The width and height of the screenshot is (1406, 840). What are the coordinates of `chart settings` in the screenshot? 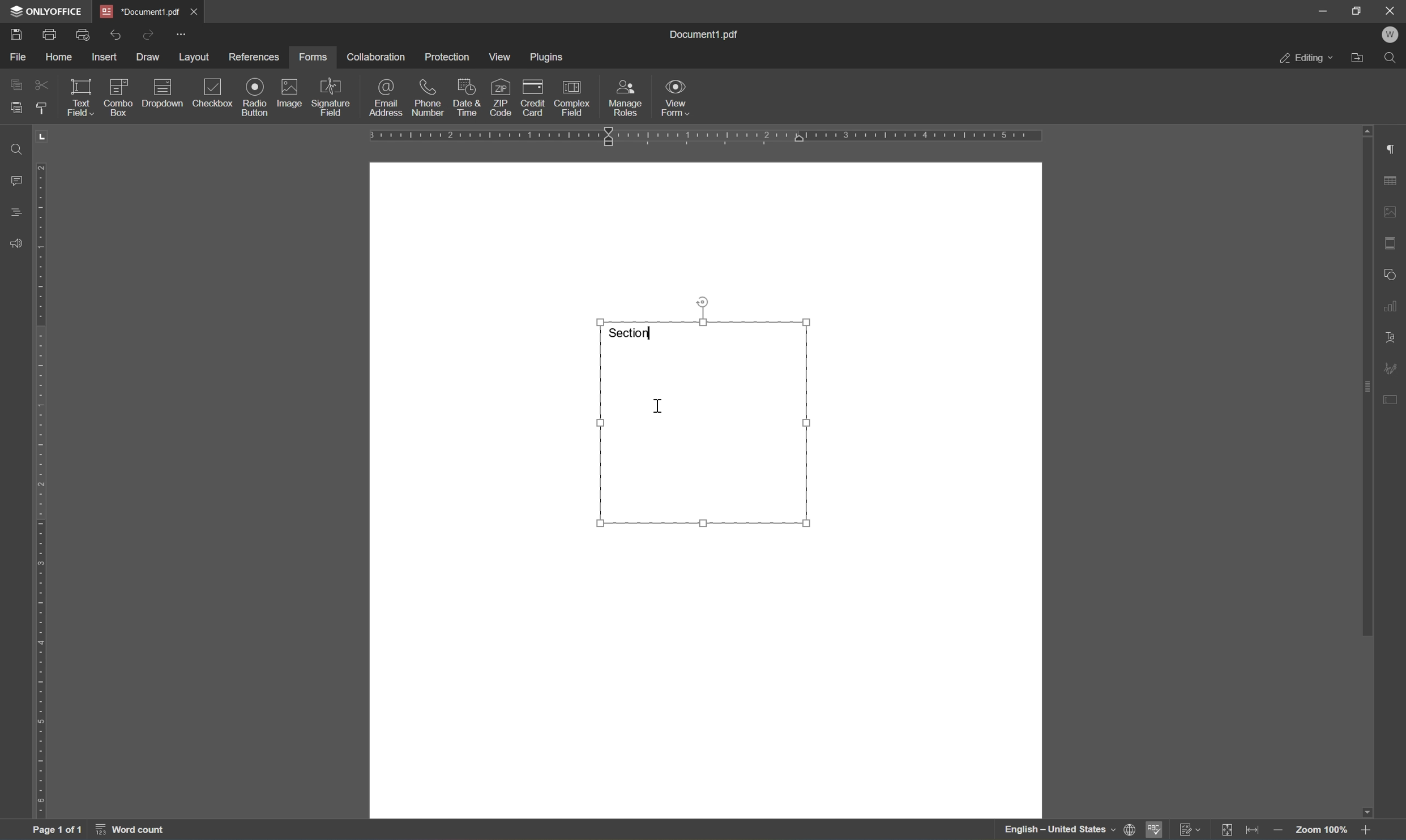 It's located at (1393, 306).